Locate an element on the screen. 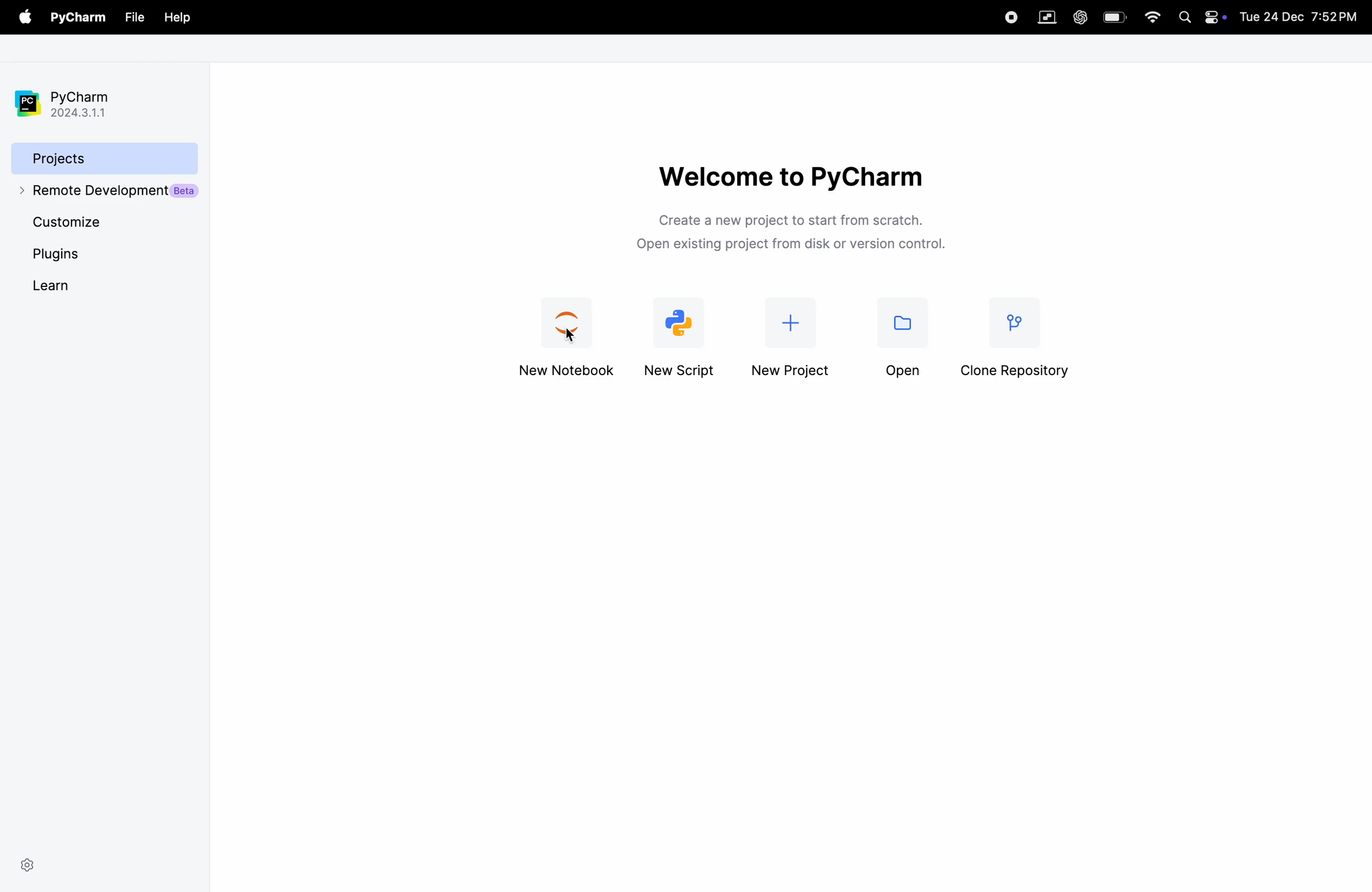 The image size is (1372, 892). pycharm is located at coordinates (80, 17).